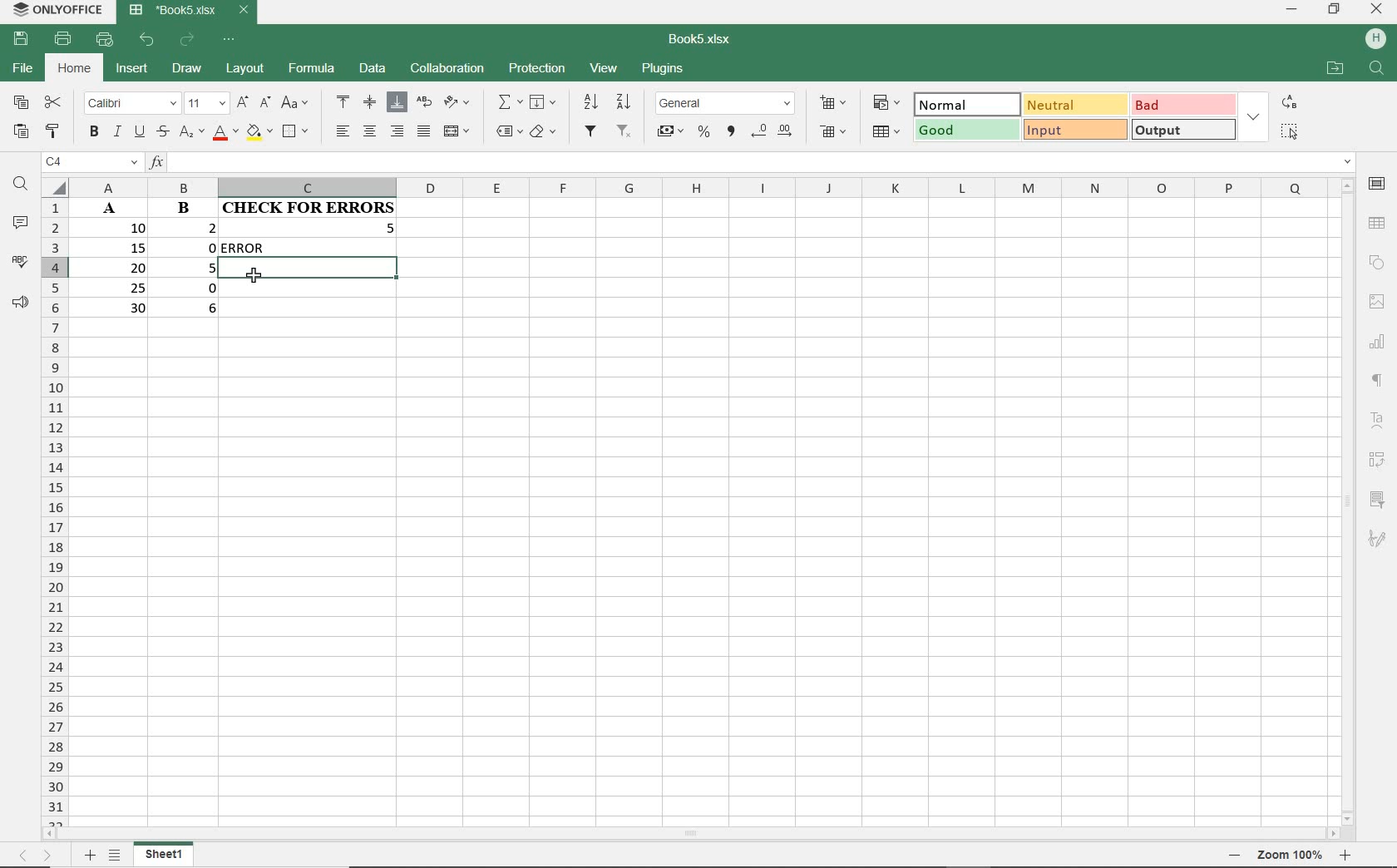 Image resolution: width=1397 pixels, height=868 pixels. Describe the element at coordinates (1376, 499) in the screenshot. I see `SLICER` at that location.